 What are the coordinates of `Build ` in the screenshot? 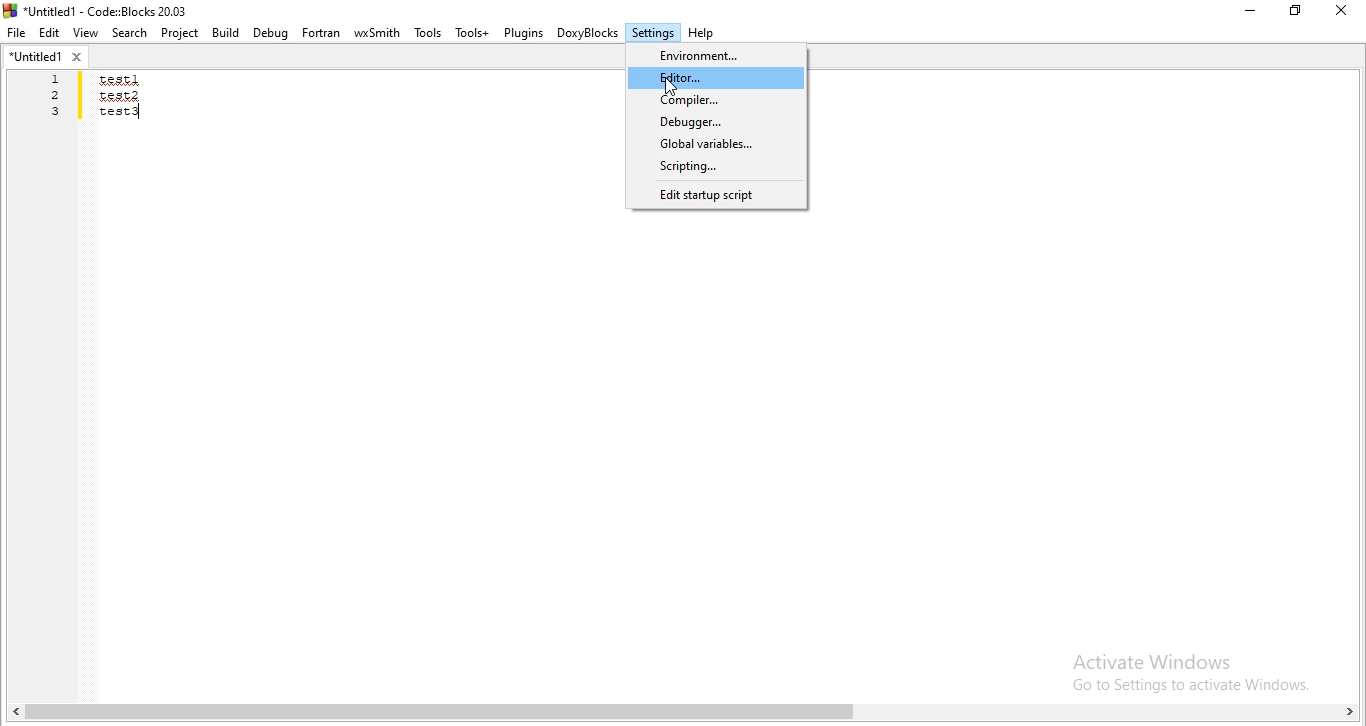 It's located at (224, 32).